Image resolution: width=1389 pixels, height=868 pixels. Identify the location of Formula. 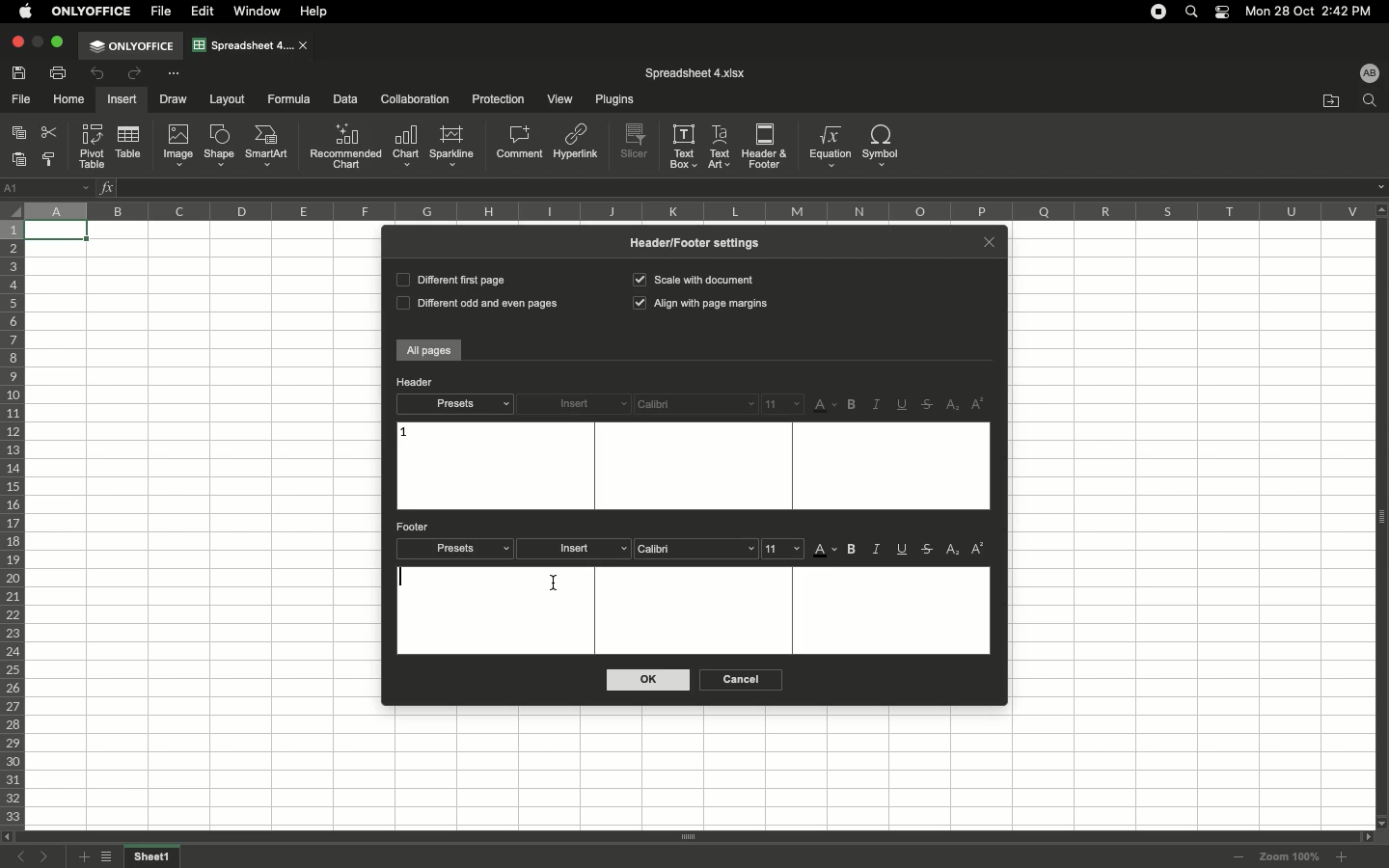
(286, 98).